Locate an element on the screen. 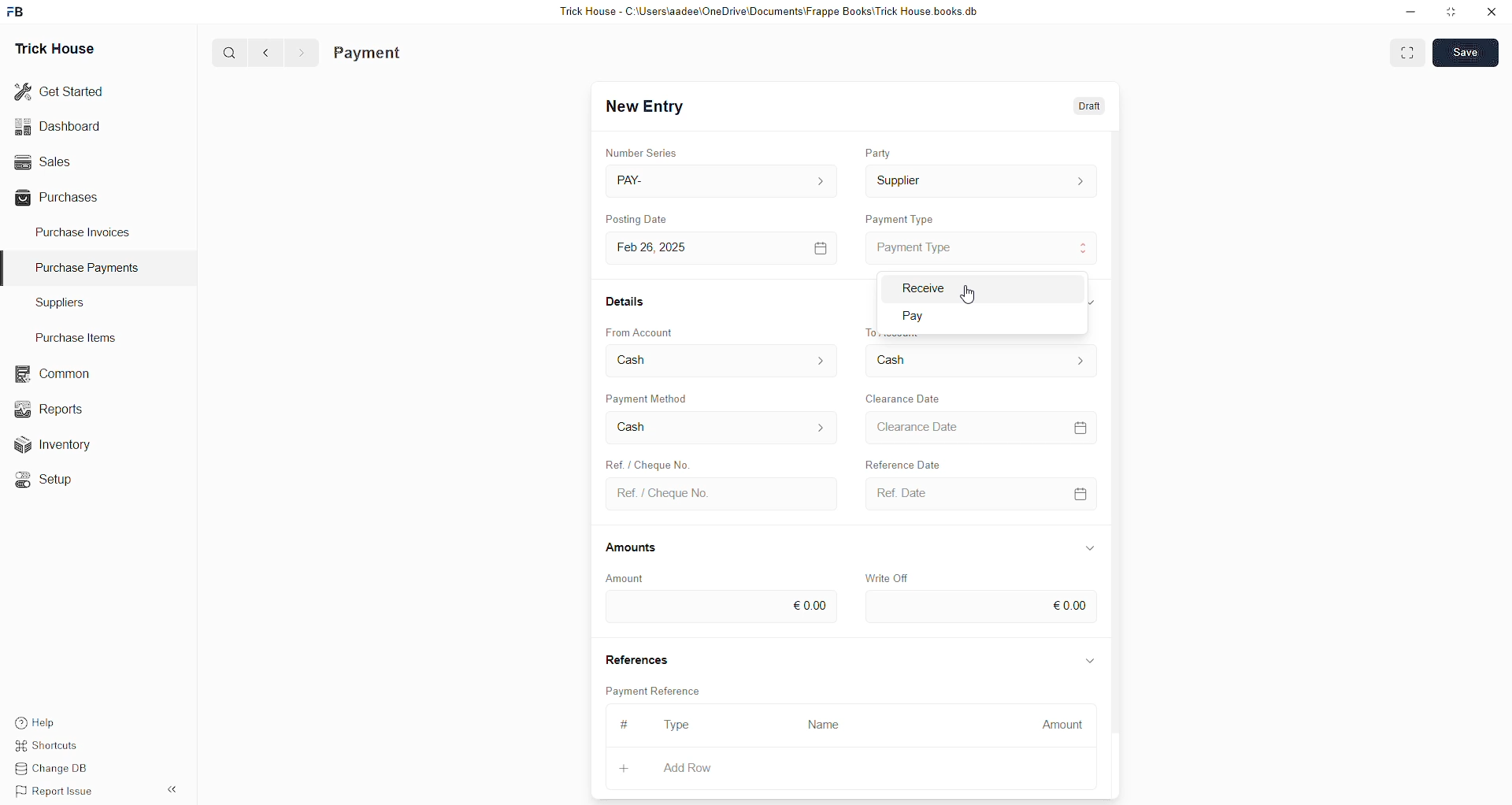  expand is located at coordinates (1091, 546).